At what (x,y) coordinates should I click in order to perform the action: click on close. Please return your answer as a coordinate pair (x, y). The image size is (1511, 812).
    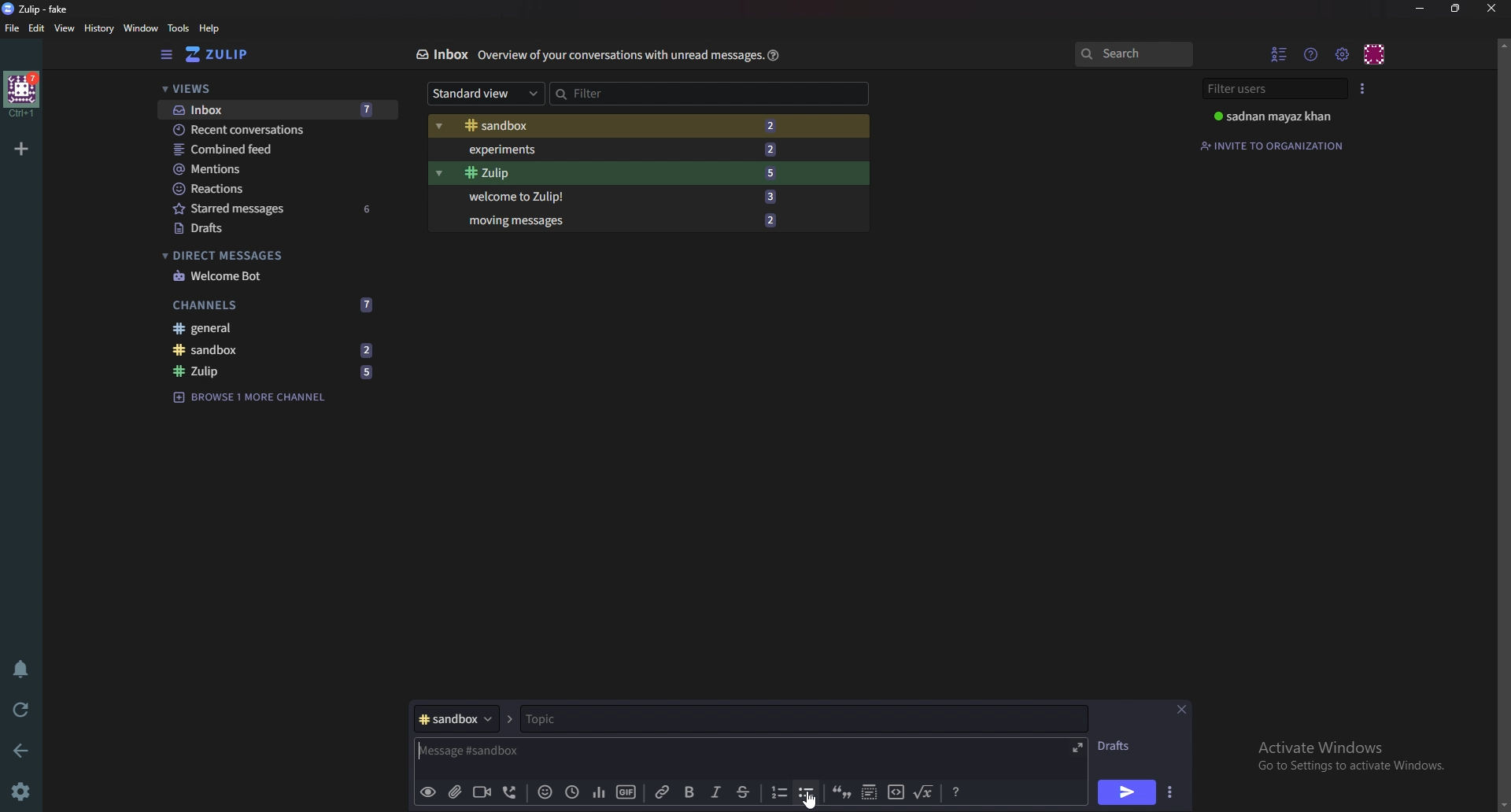
    Looking at the image, I should click on (1490, 8).